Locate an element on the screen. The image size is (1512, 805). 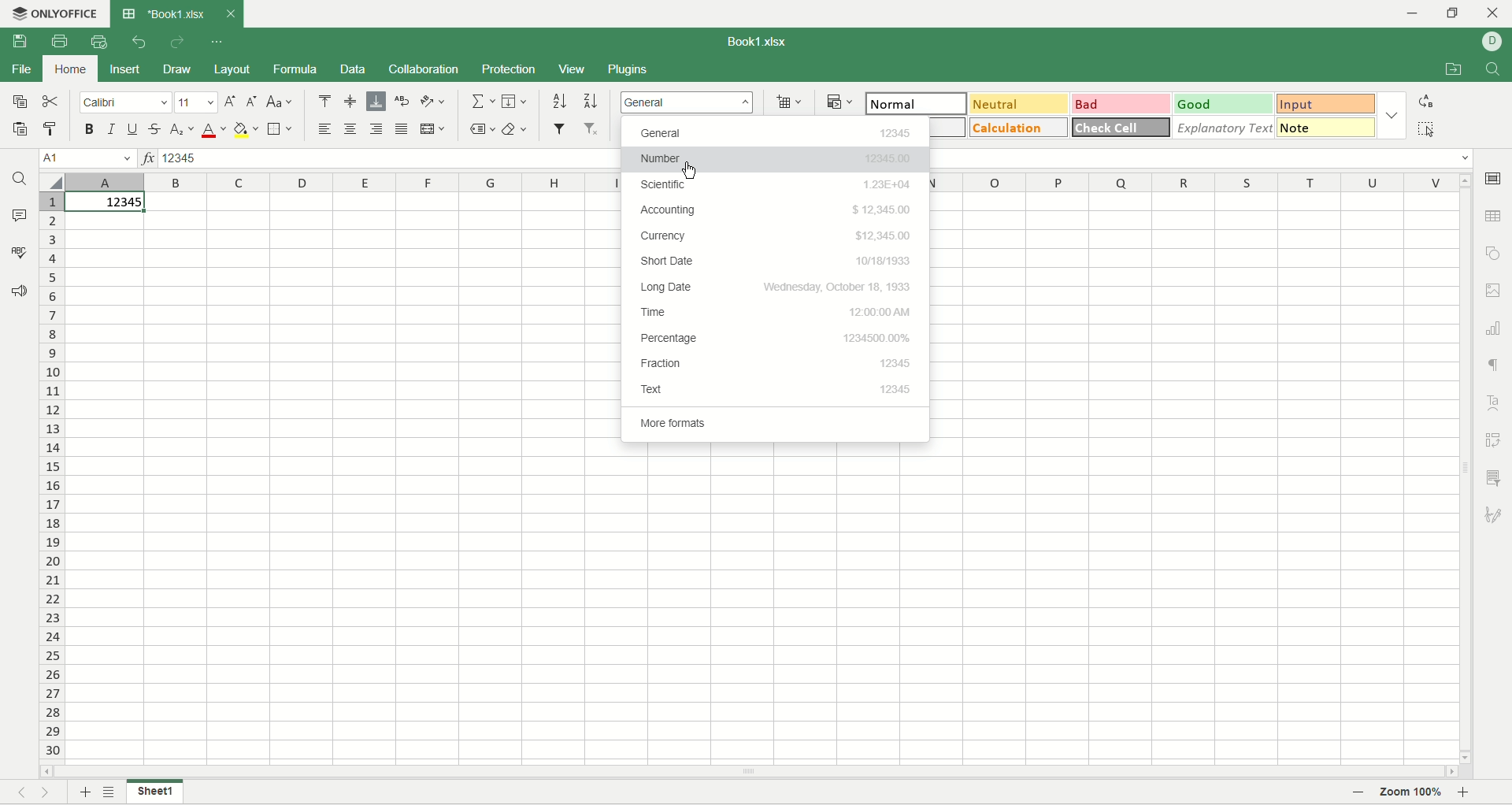
sheet name is located at coordinates (154, 792).